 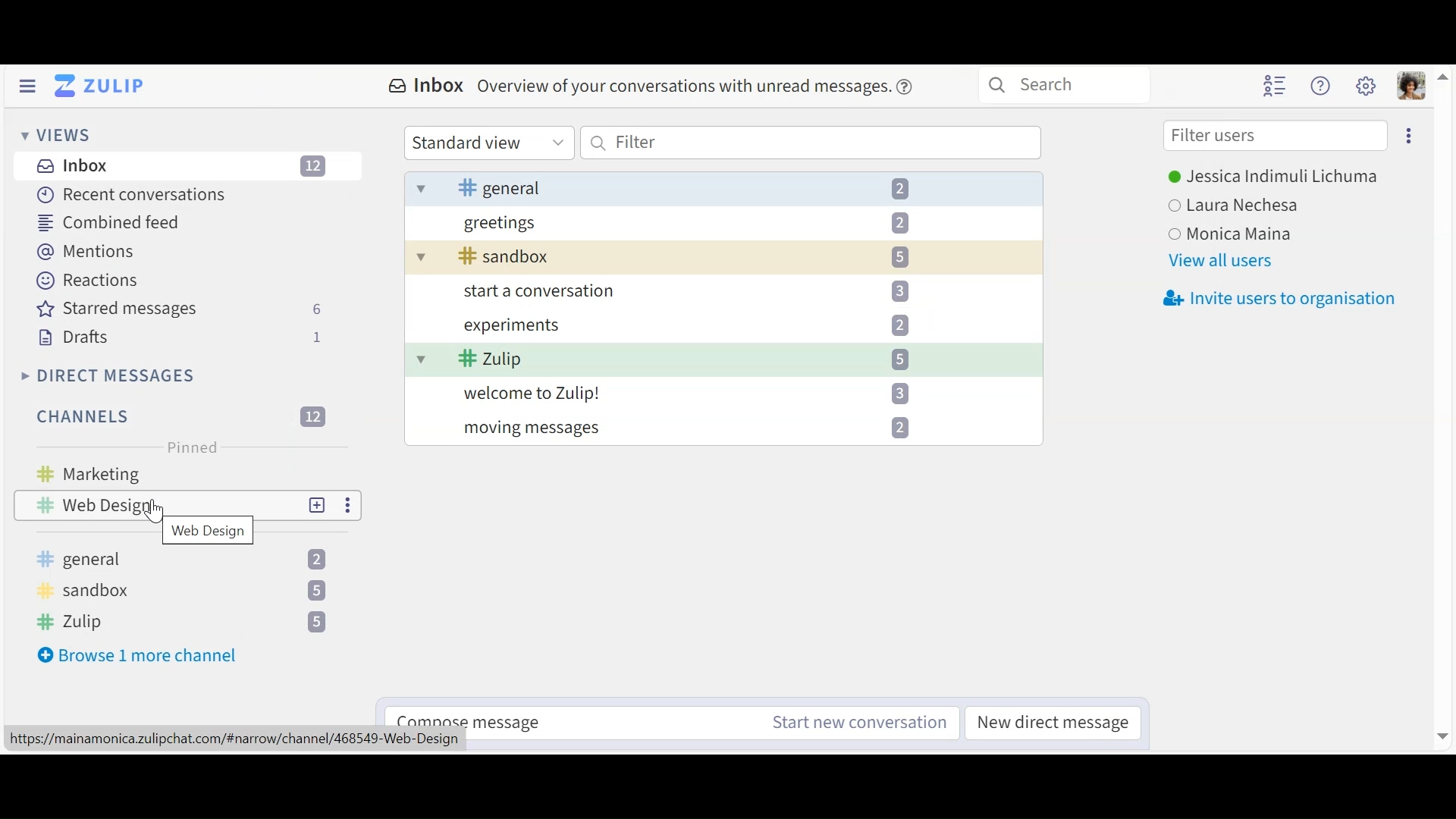 What do you see at coordinates (1230, 234) in the screenshot?
I see `Monica Maina` at bounding box center [1230, 234].